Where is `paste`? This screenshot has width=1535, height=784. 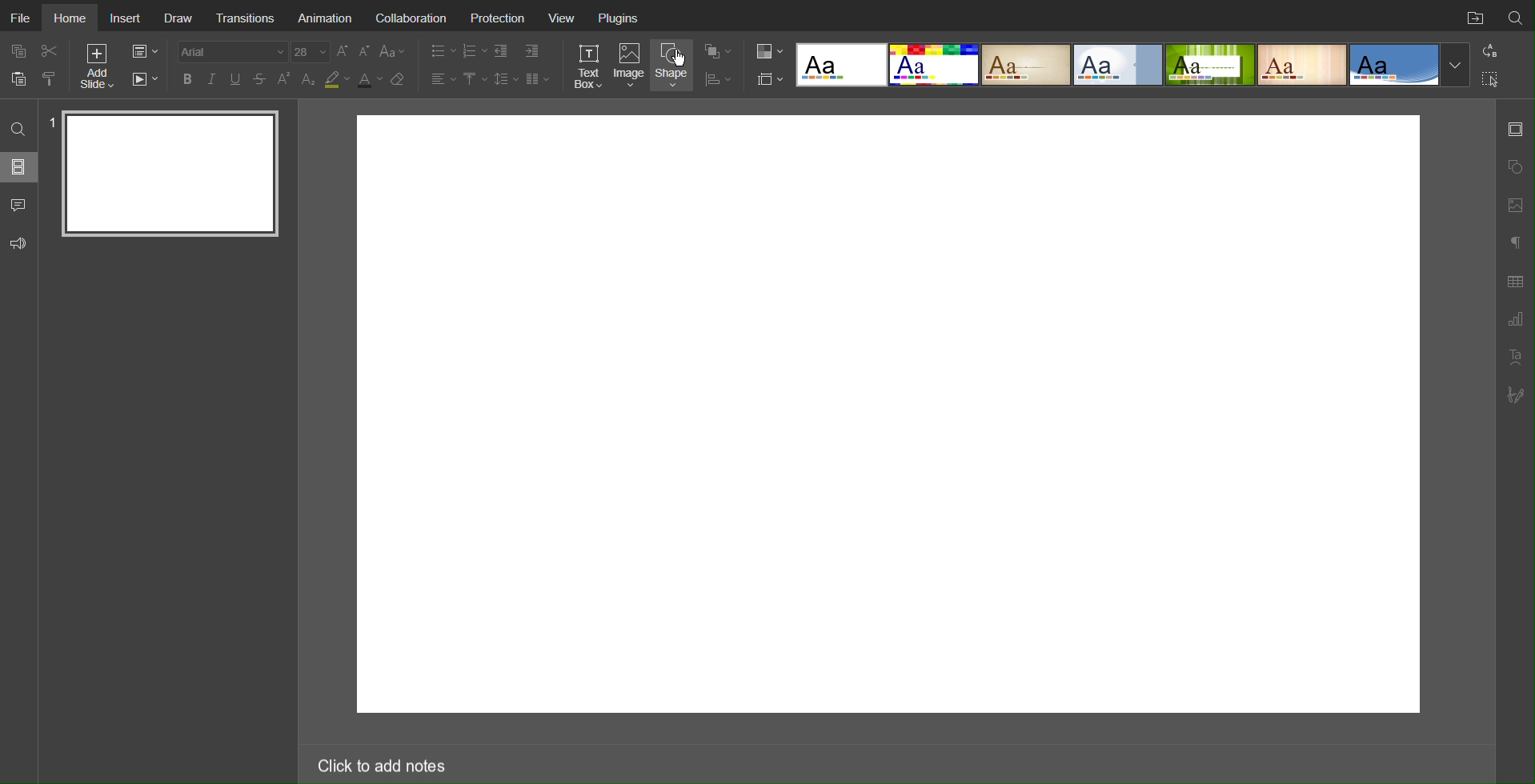
paste is located at coordinates (21, 78).